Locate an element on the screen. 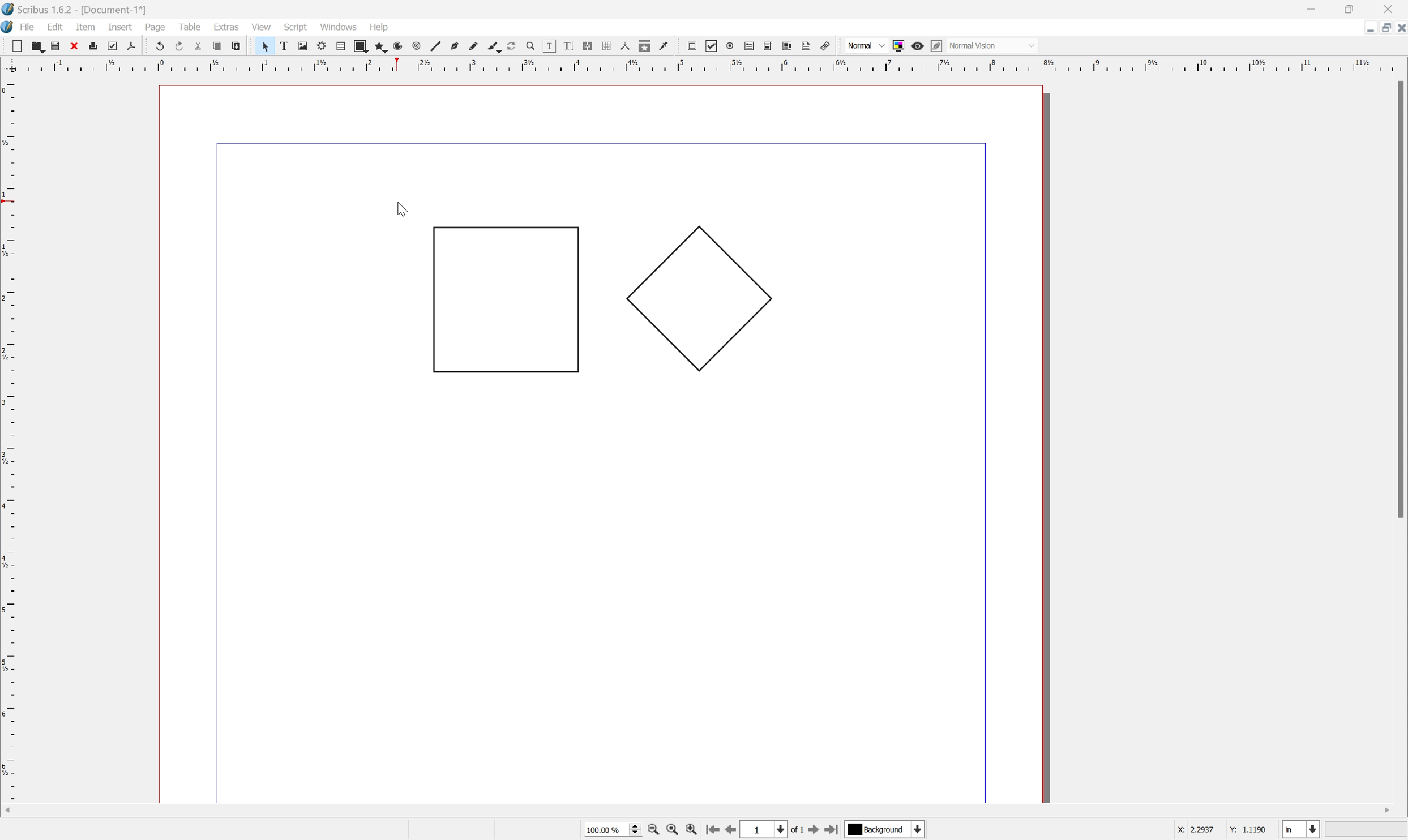 This screenshot has width=1408, height=840. polygon is located at coordinates (376, 46).